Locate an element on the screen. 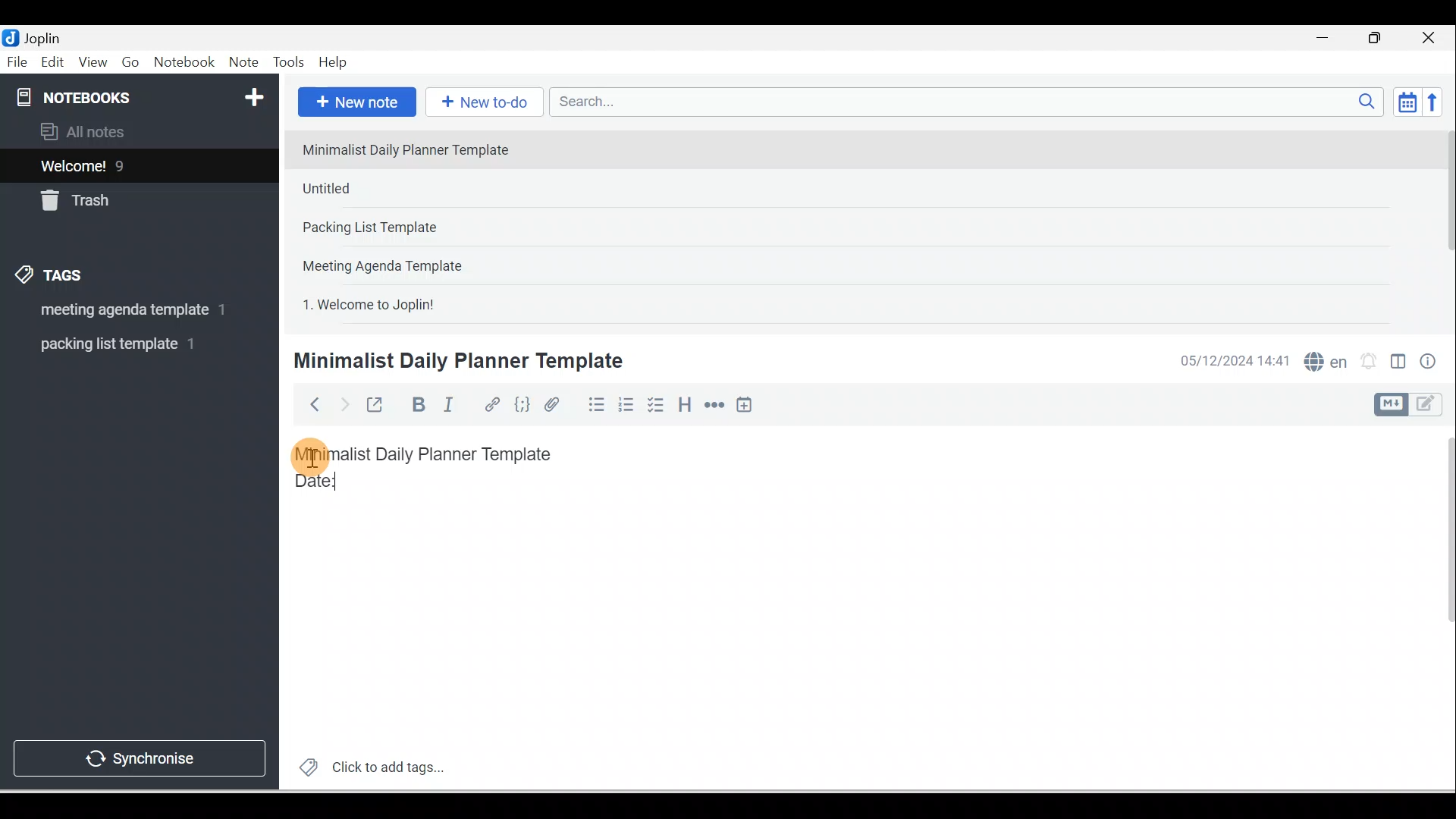  Checkbox is located at coordinates (654, 405).